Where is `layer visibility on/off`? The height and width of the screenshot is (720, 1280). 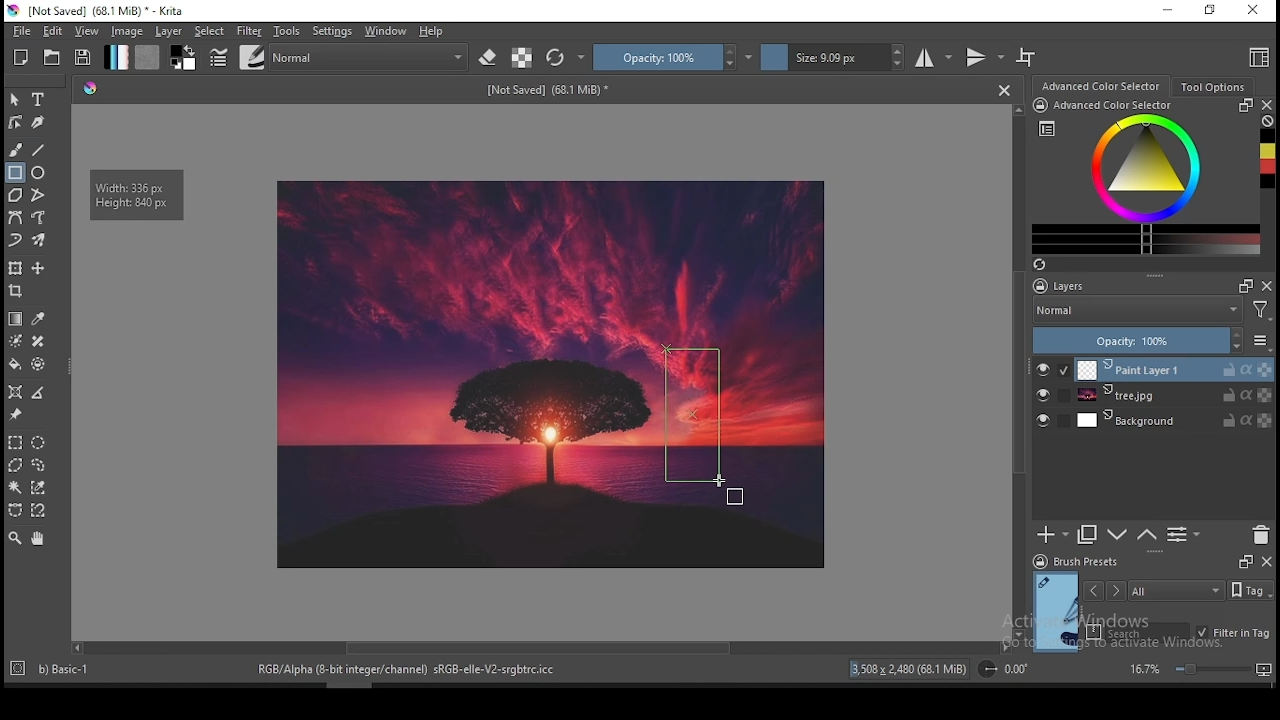
layer visibility on/off is located at coordinates (1043, 395).